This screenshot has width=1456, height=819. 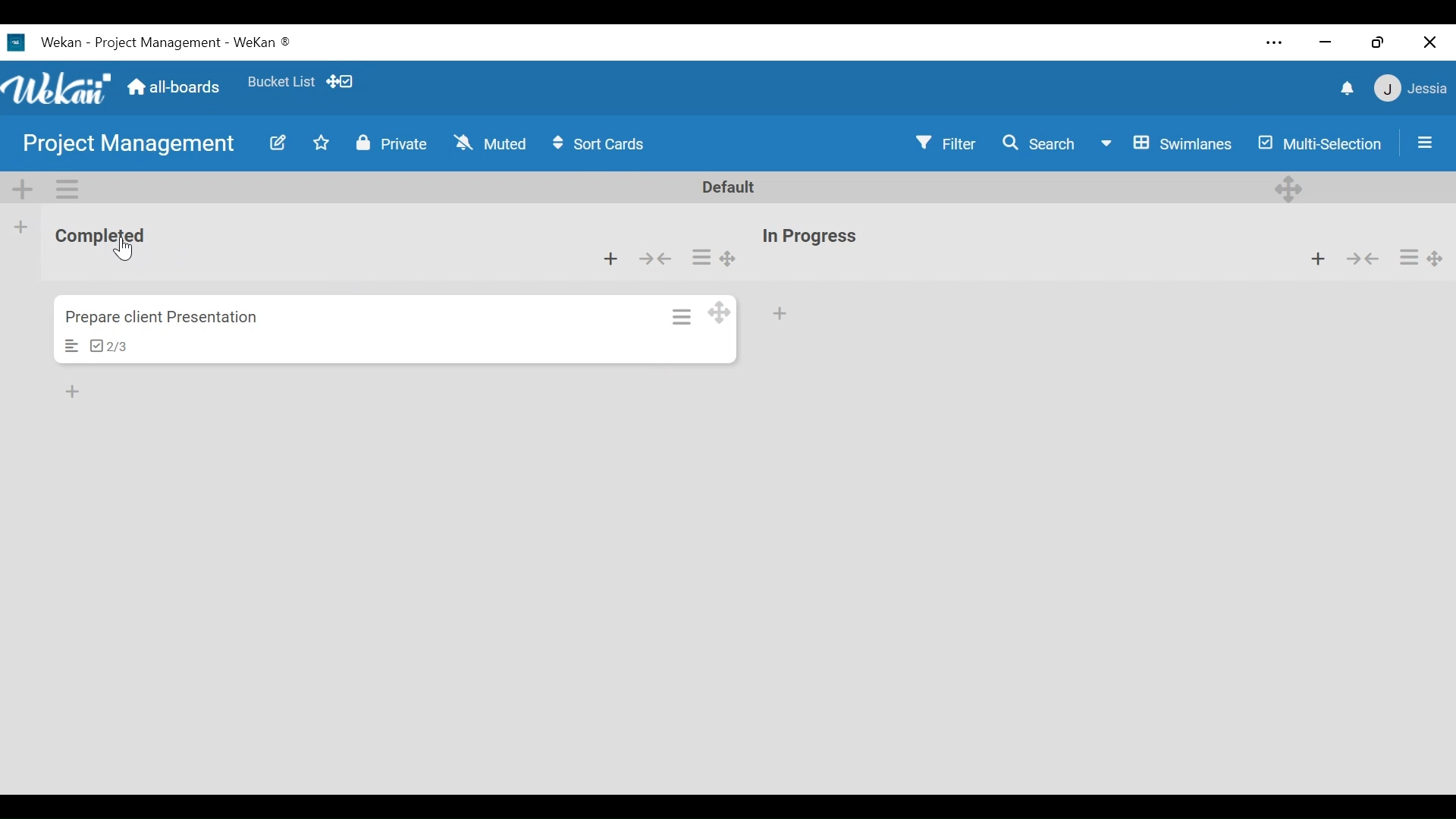 What do you see at coordinates (1412, 259) in the screenshot?
I see `List actions` at bounding box center [1412, 259].